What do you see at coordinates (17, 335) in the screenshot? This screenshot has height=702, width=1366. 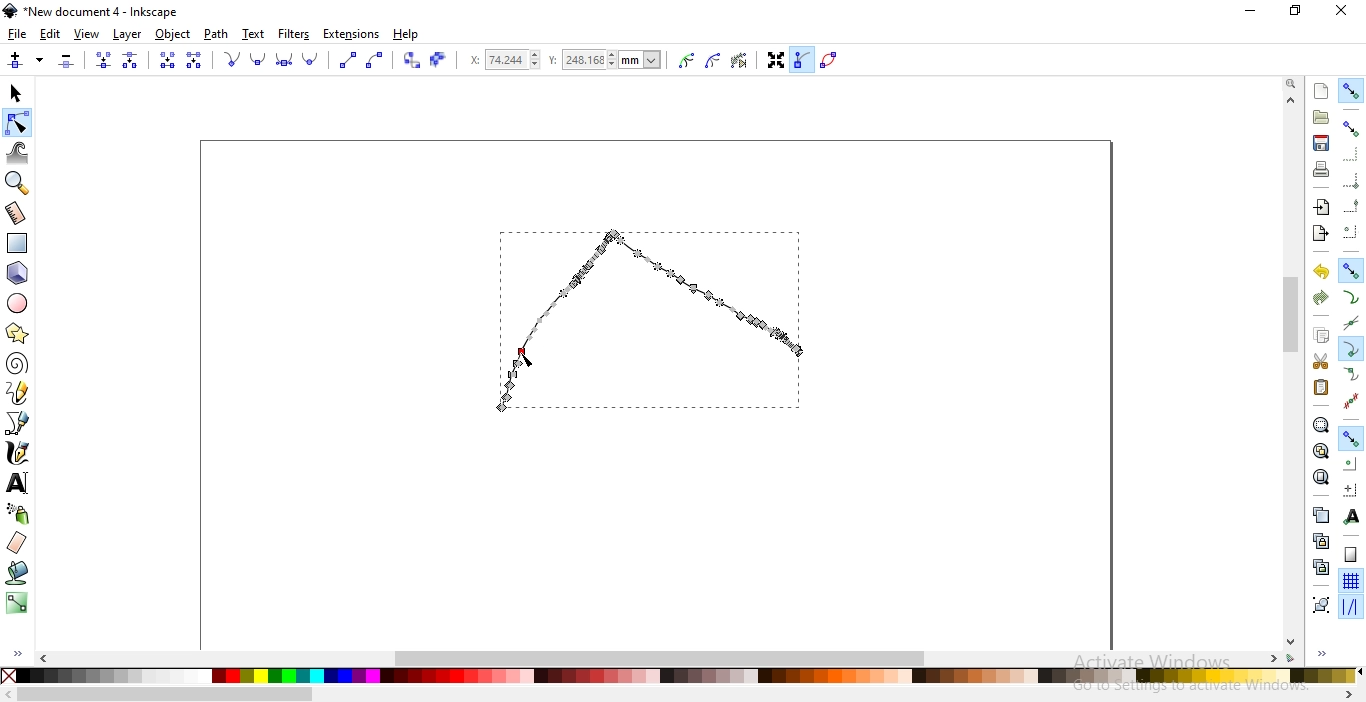 I see `create stars and polygons` at bounding box center [17, 335].